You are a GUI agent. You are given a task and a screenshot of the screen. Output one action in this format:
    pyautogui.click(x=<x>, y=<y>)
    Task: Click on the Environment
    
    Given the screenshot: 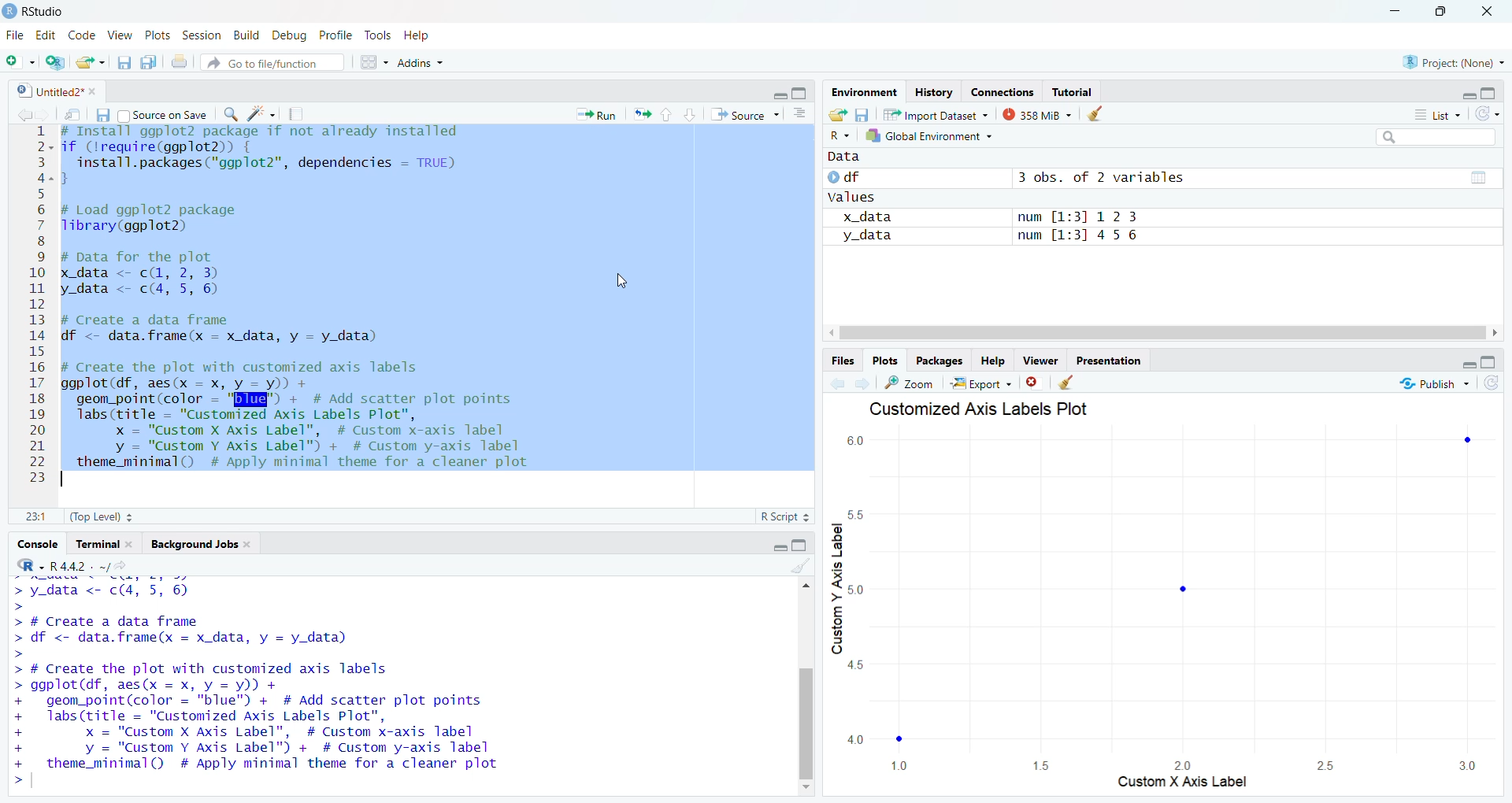 What is the action you would take?
    pyautogui.click(x=858, y=92)
    